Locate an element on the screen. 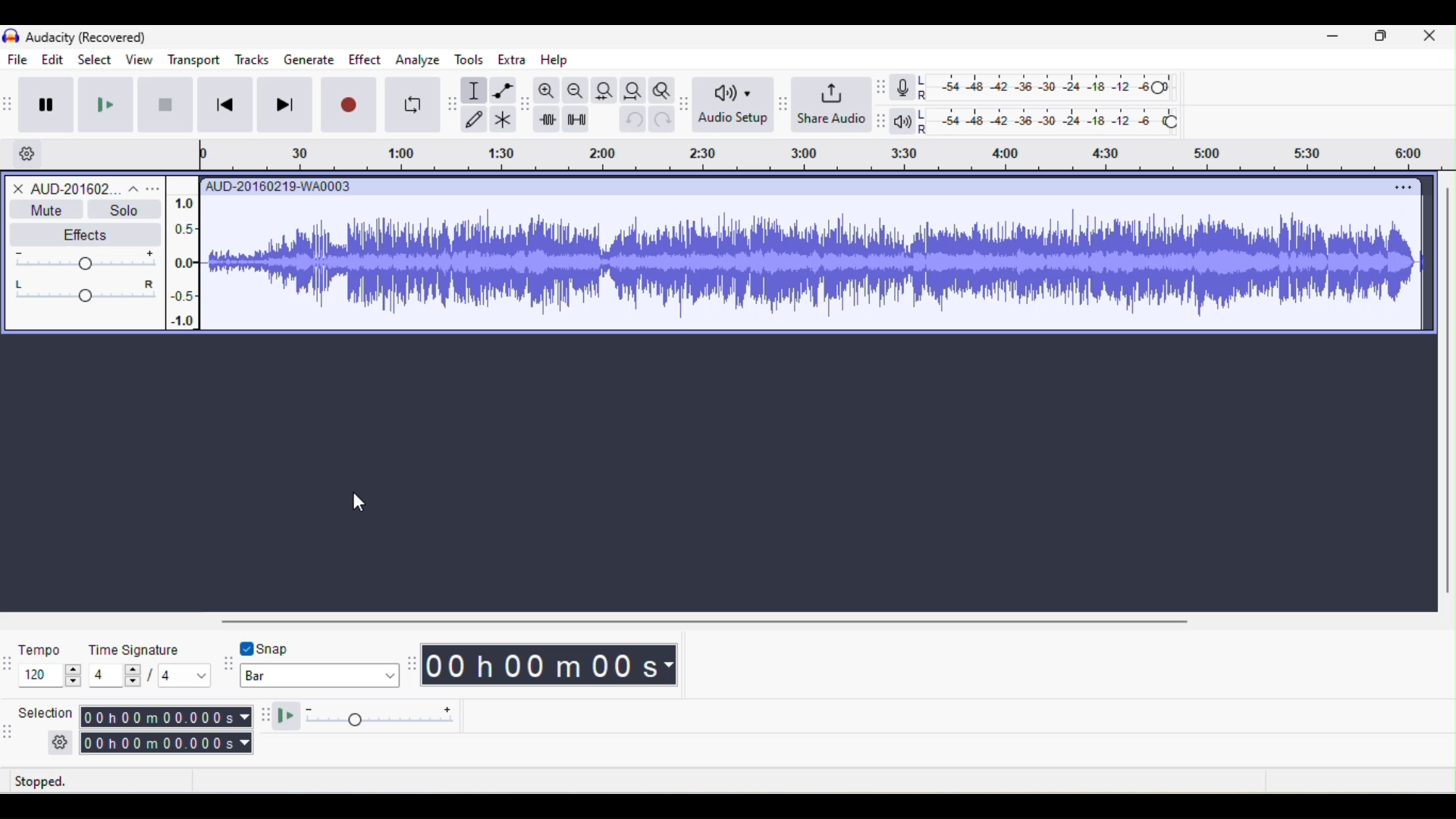 The image size is (1456, 819). audio is located at coordinates (57, 190).